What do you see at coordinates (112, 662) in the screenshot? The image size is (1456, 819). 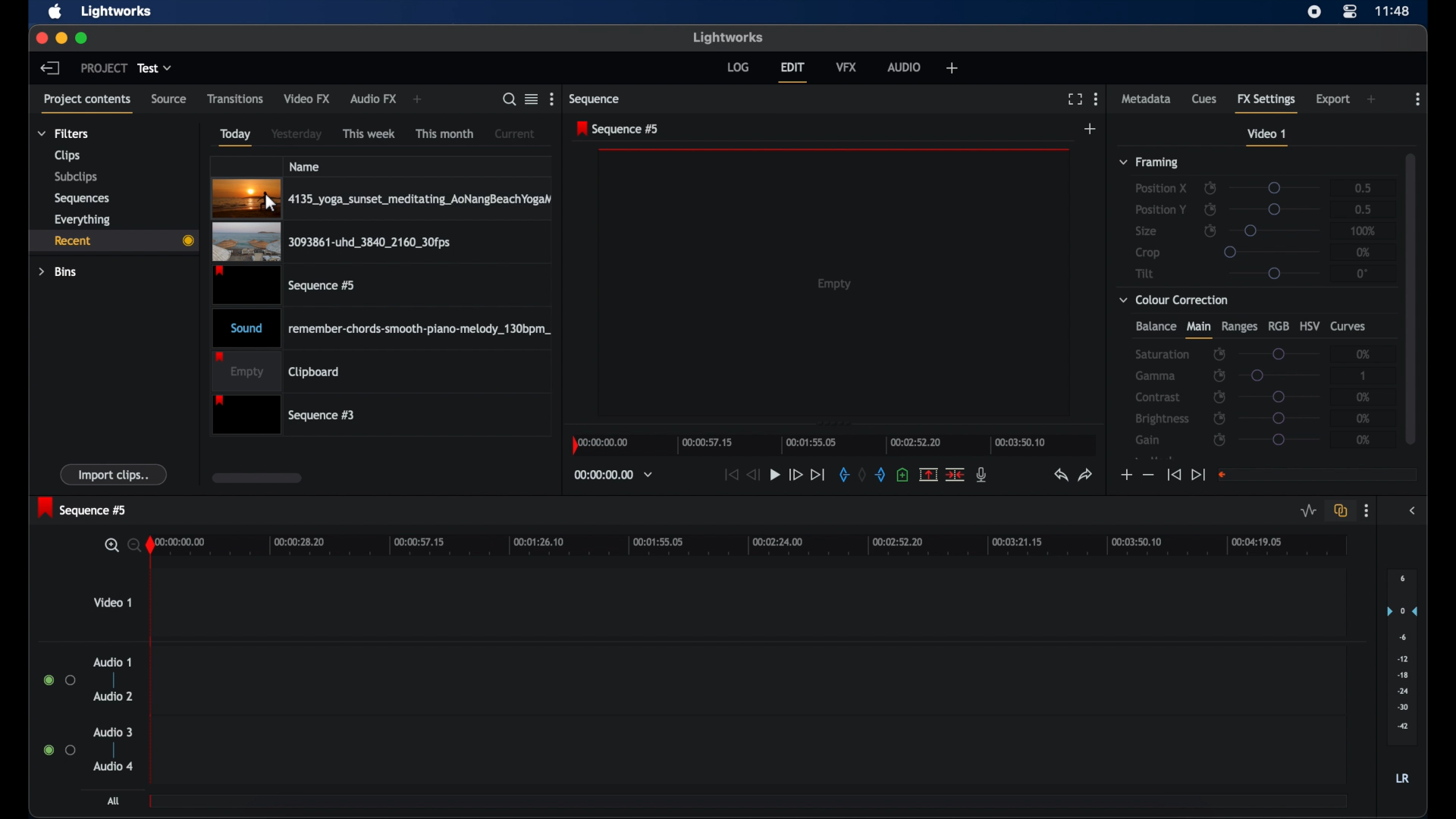 I see `audio 1` at bounding box center [112, 662].